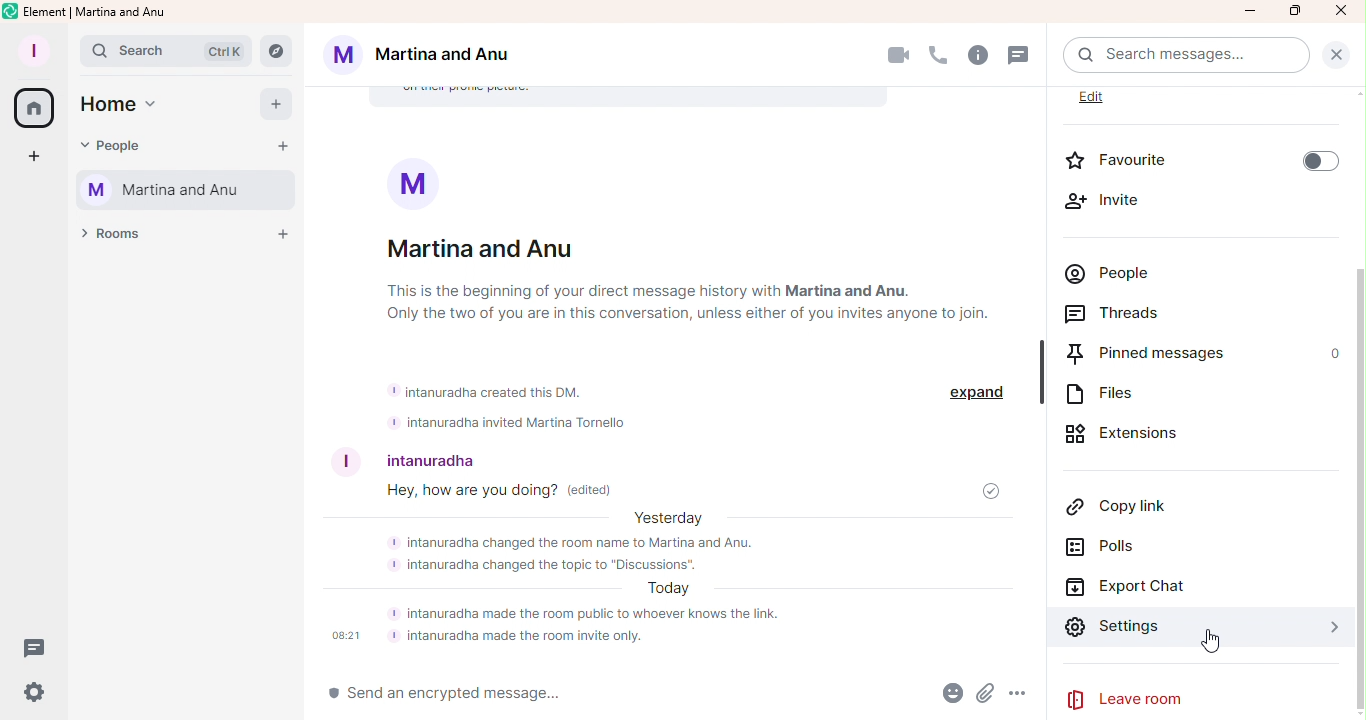 The height and width of the screenshot is (720, 1366). I want to click on expand, so click(980, 392).